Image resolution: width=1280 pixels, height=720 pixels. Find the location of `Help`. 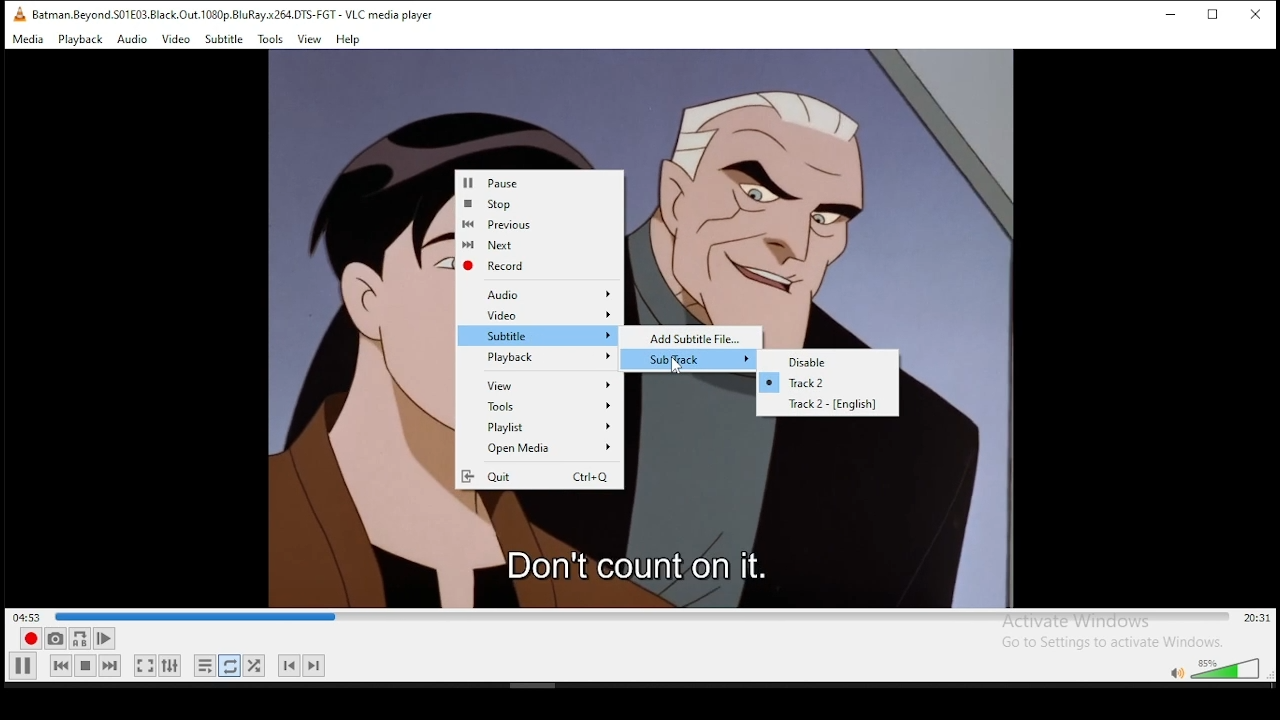

Help is located at coordinates (349, 41).